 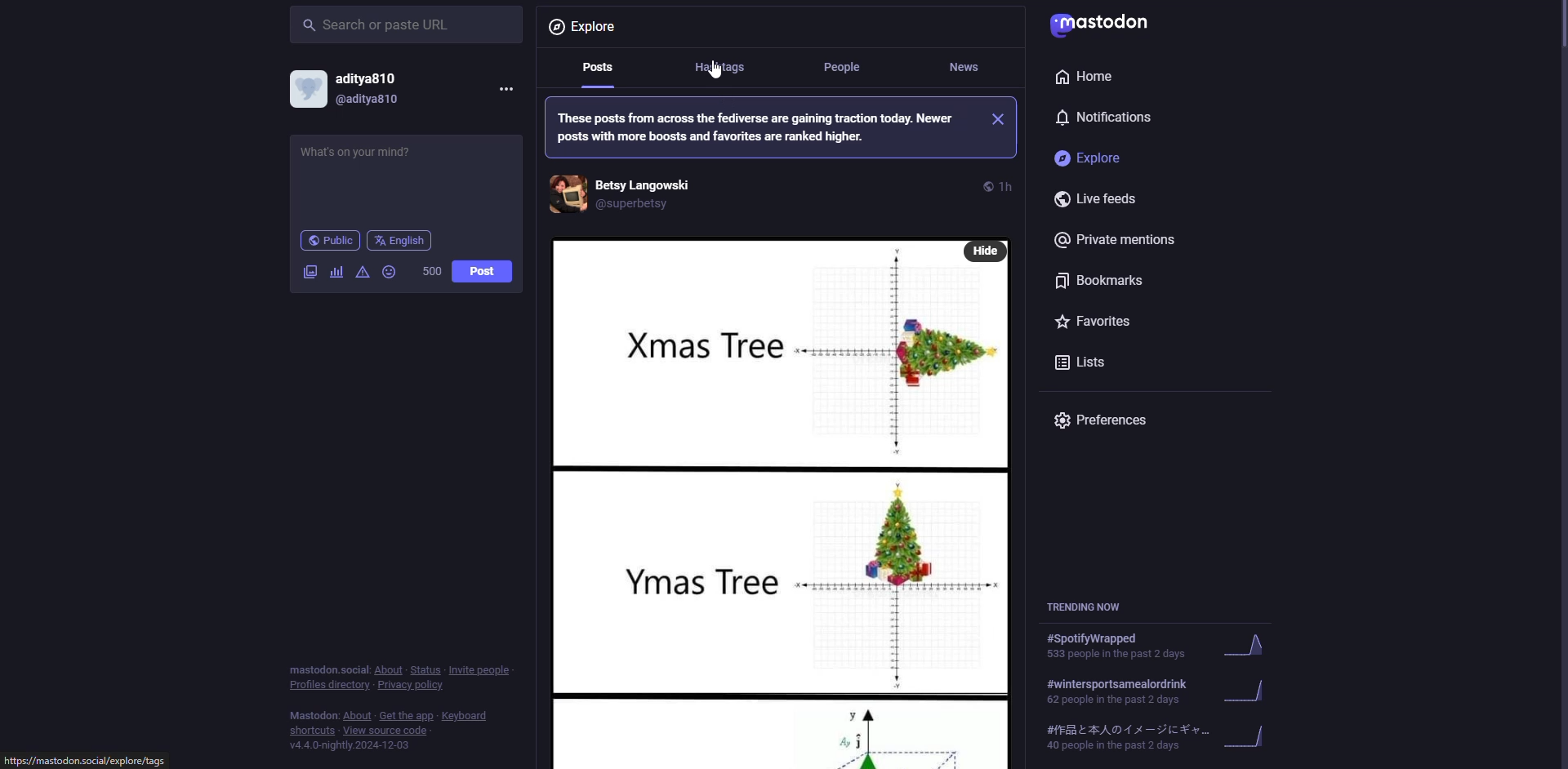 I want to click on info, so click(x=398, y=705).